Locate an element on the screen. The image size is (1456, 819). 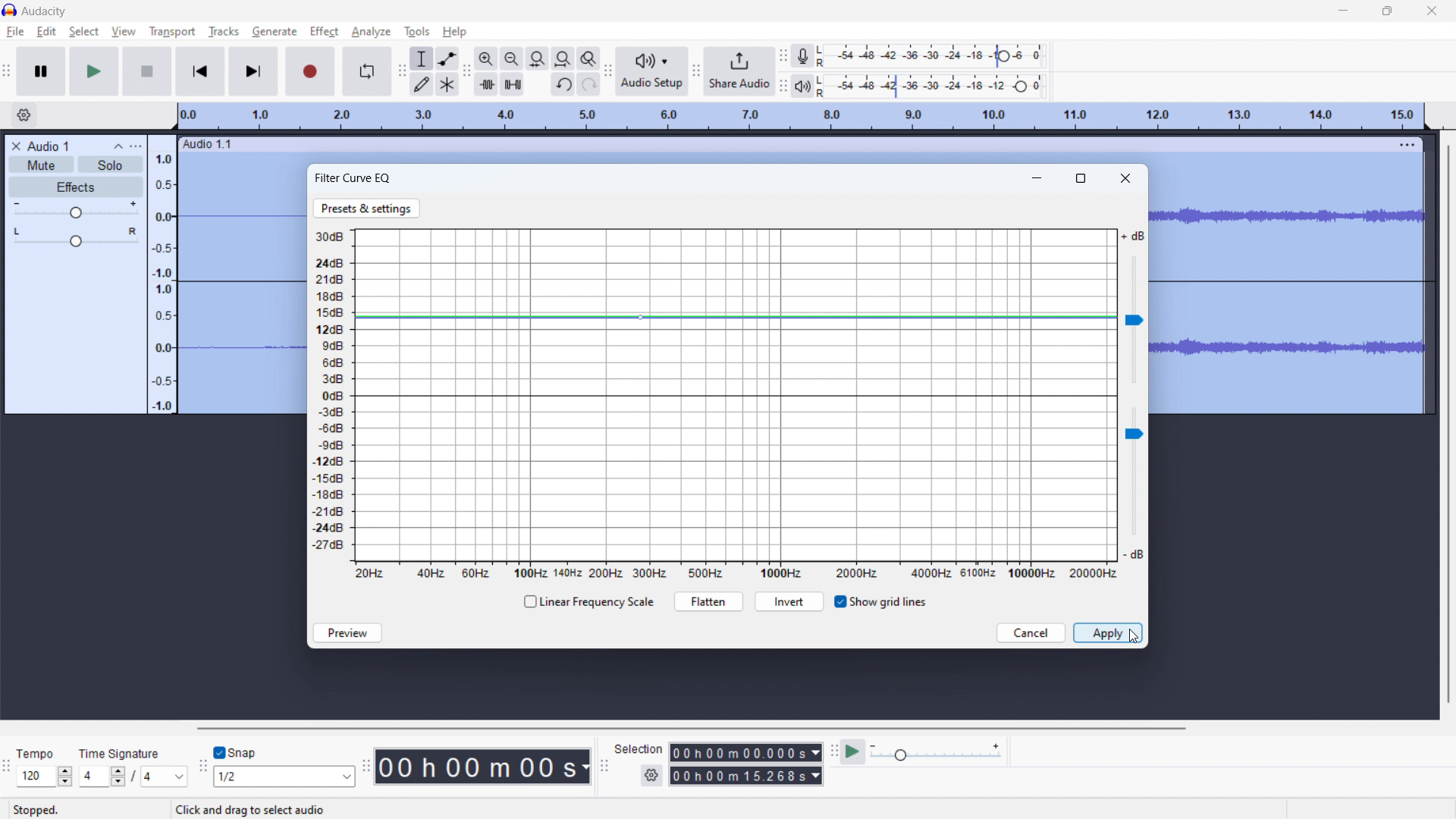
edit is located at coordinates (47, 32).